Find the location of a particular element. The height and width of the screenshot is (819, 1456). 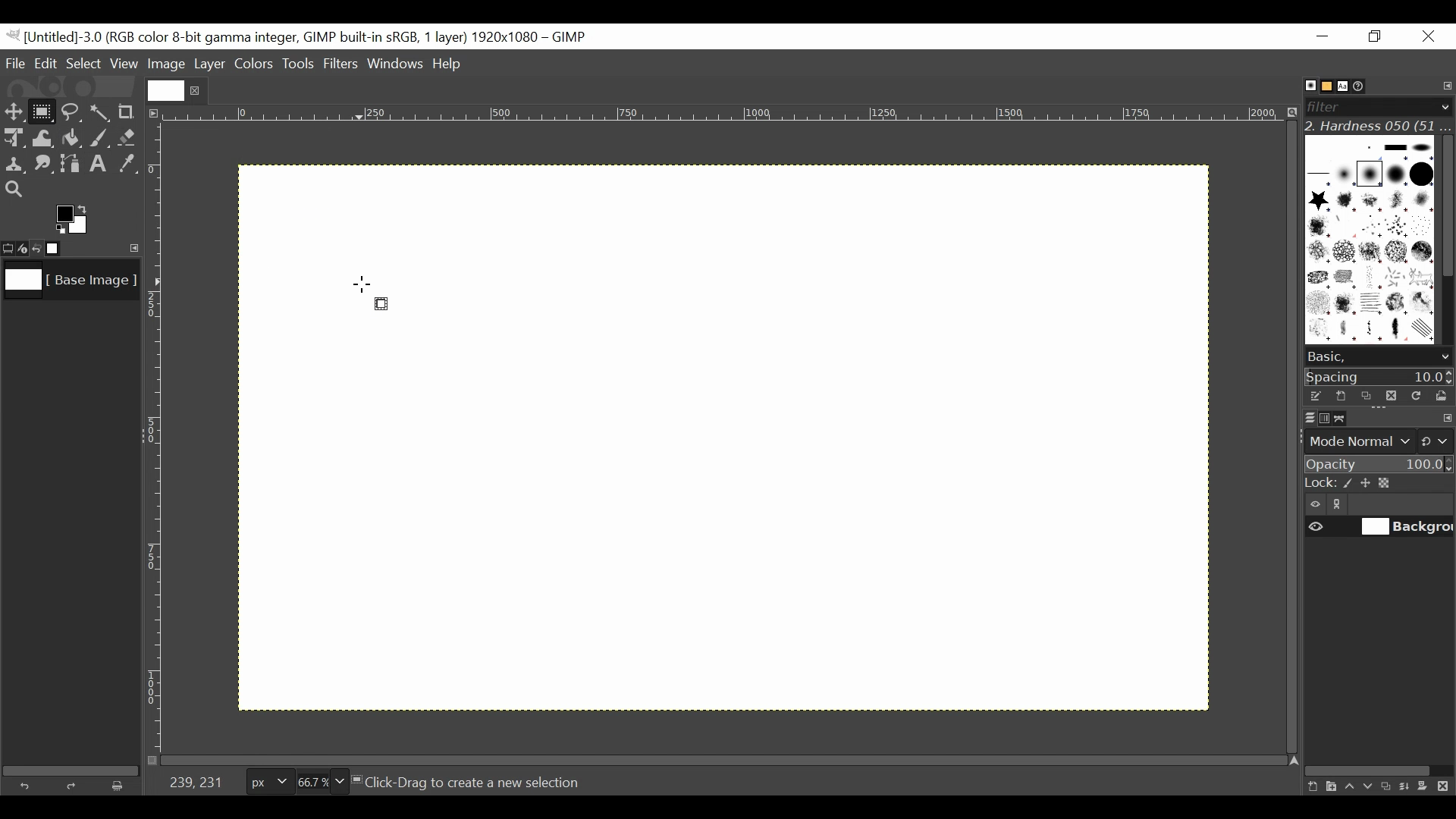

Configure this tab is located at coordinates (131, 247).